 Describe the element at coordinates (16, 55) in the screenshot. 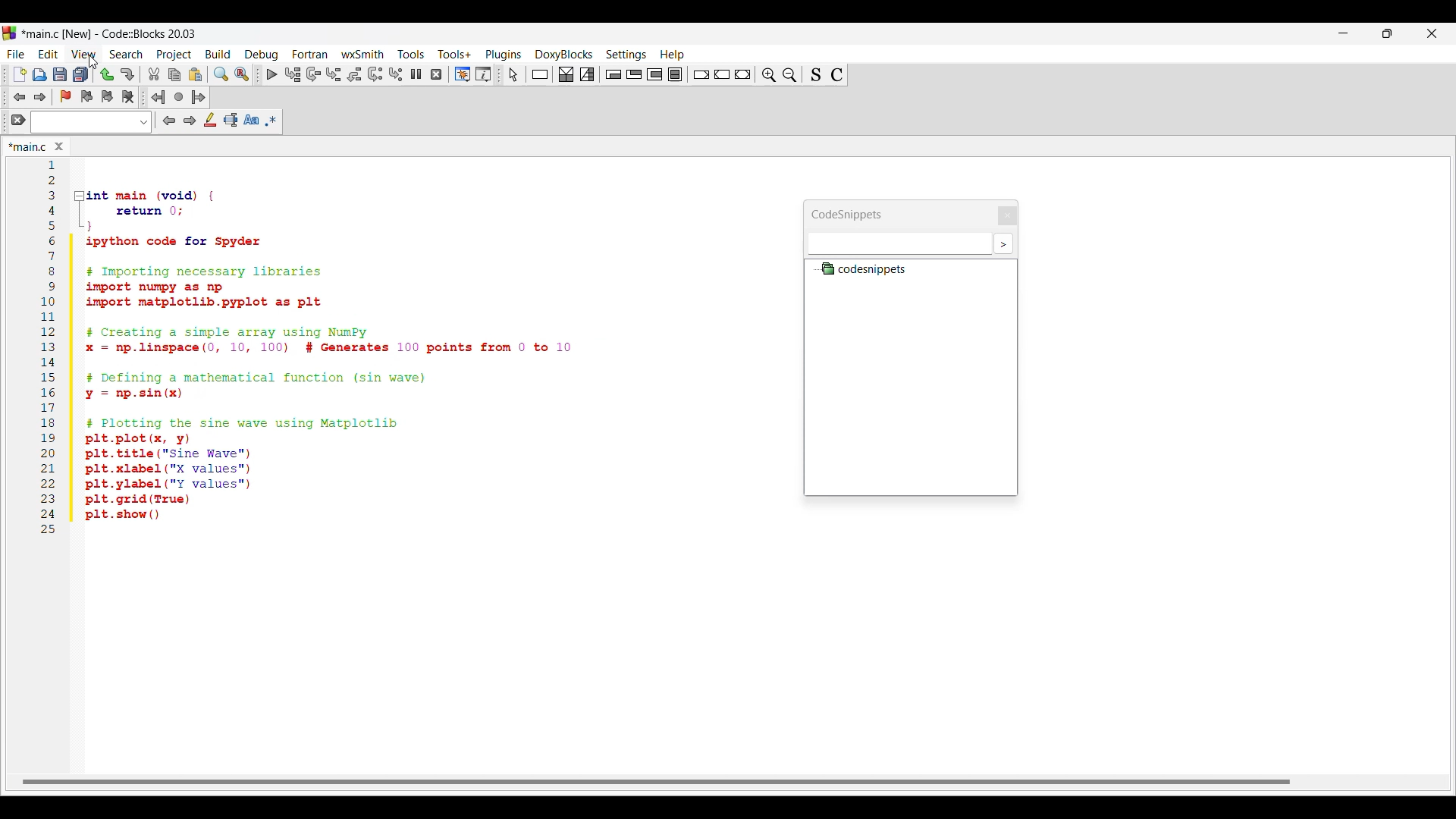

I see `File menu` at that location.